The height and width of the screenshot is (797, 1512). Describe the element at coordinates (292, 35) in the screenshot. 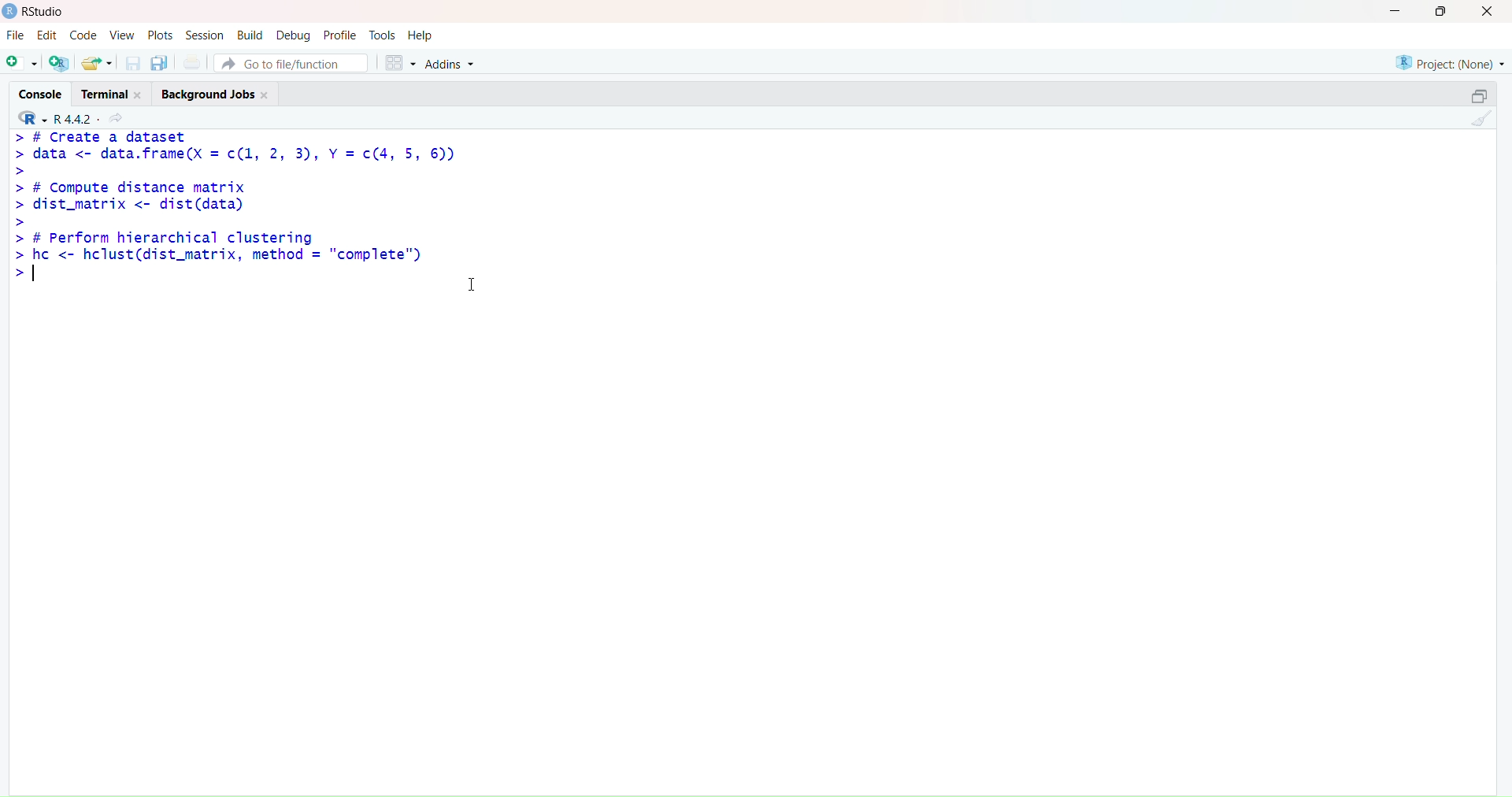

I see `Debug` at that location.